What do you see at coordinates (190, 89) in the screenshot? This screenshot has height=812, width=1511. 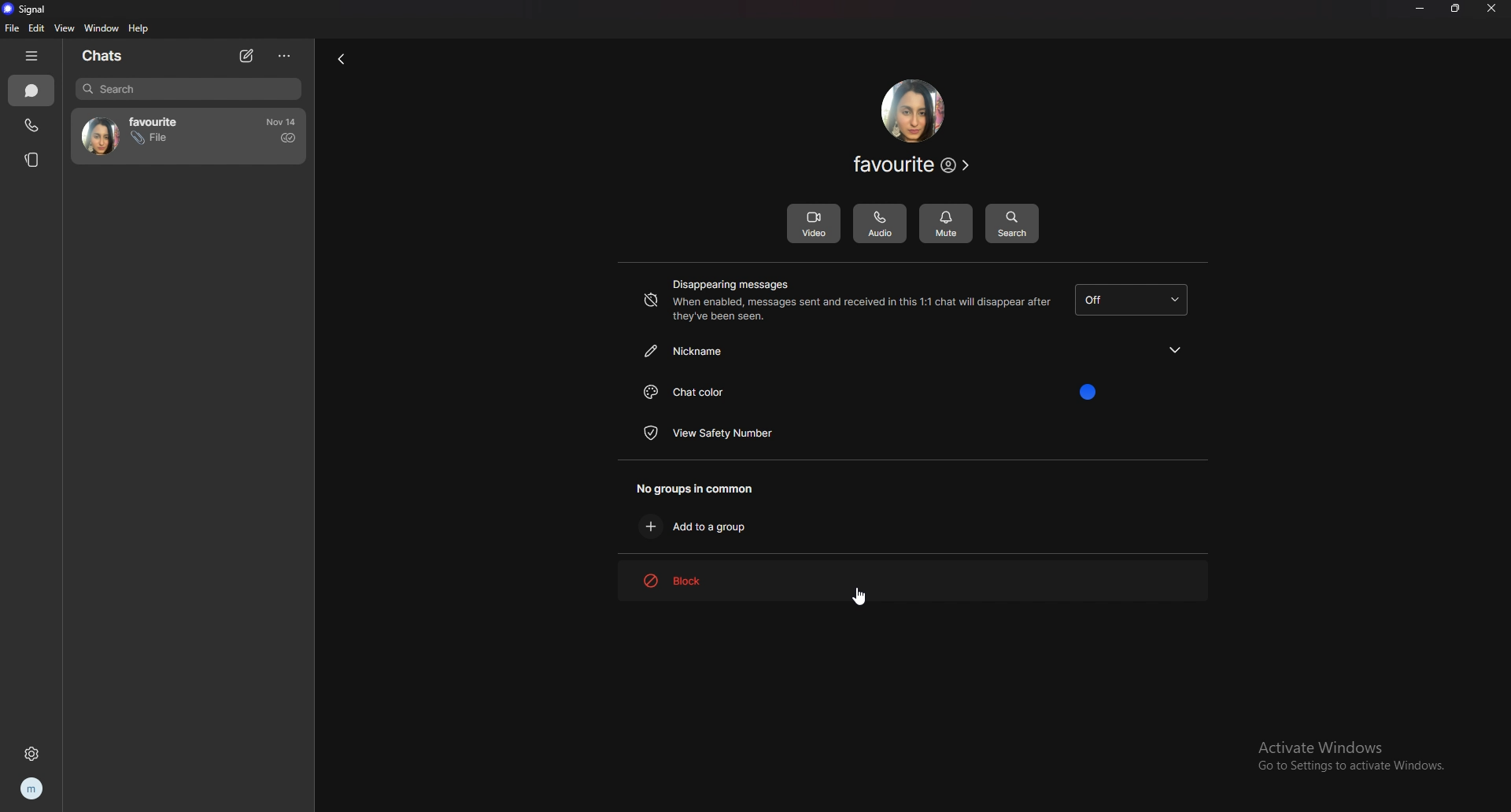 I see `search` at bounding box center [190, 89].